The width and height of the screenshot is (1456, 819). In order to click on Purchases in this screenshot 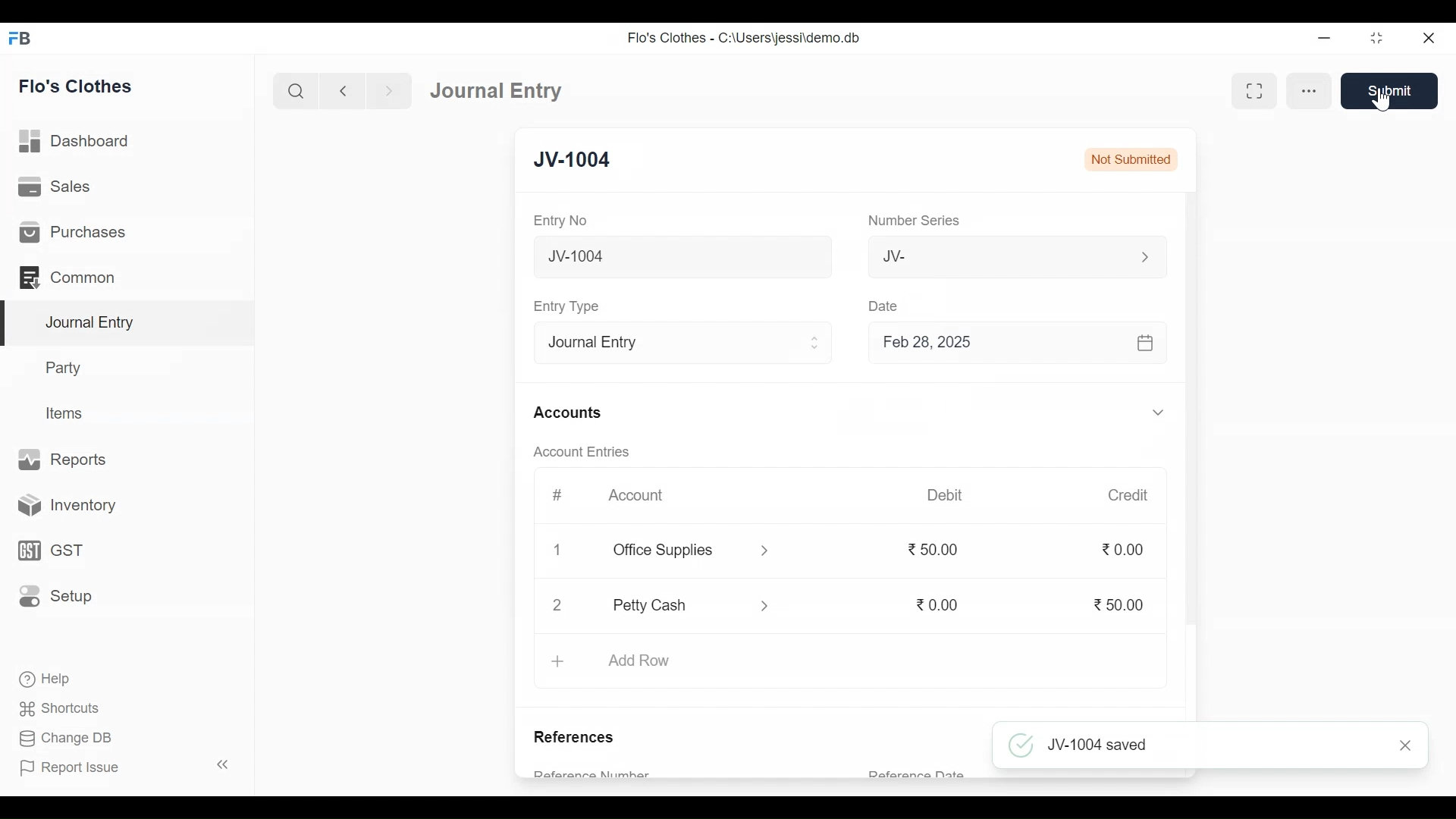, I will do `click(73, 231)`.